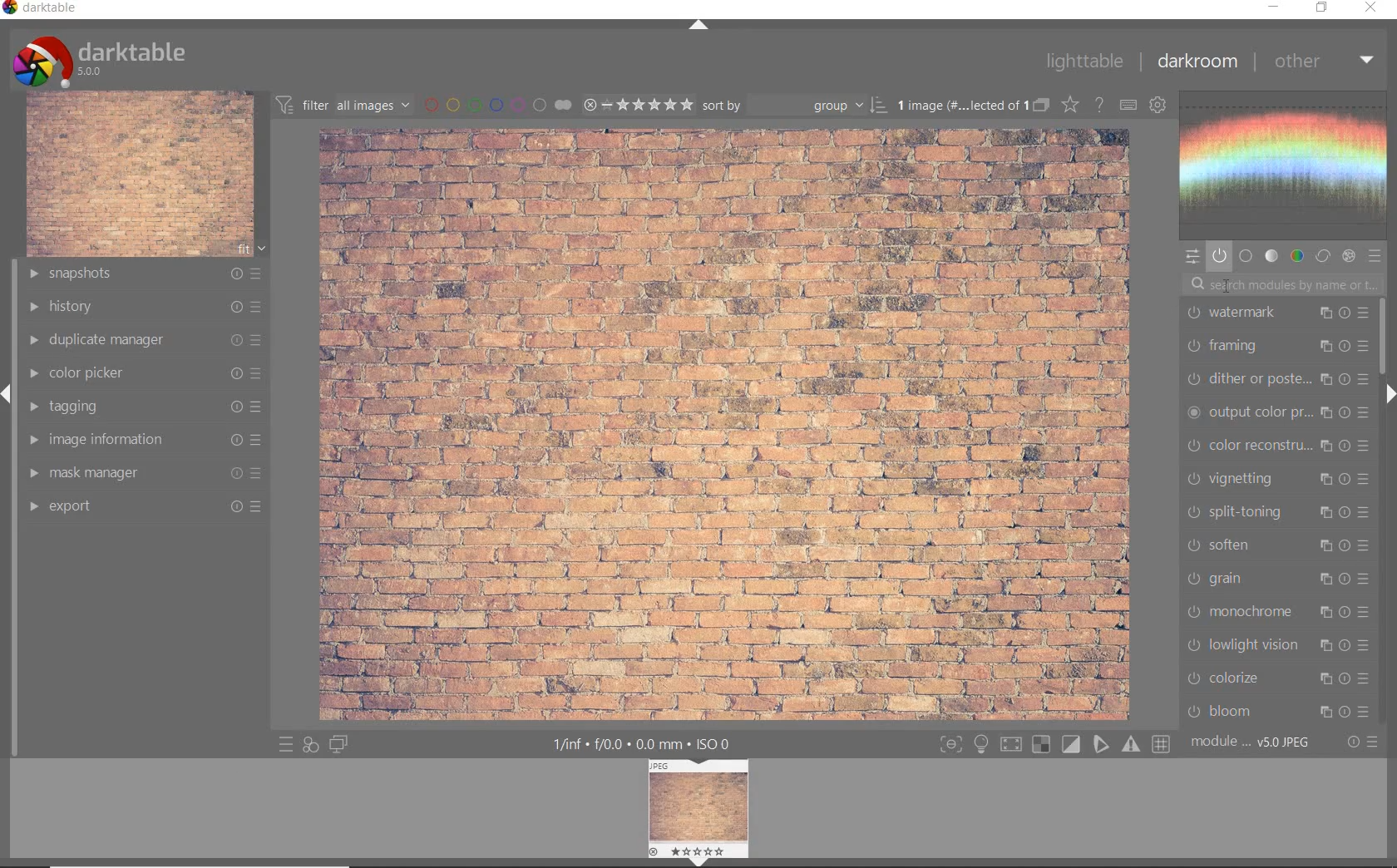  Describe the element at coordinates (1084, 61) in the screenshot. I see `lighttable` at that location.